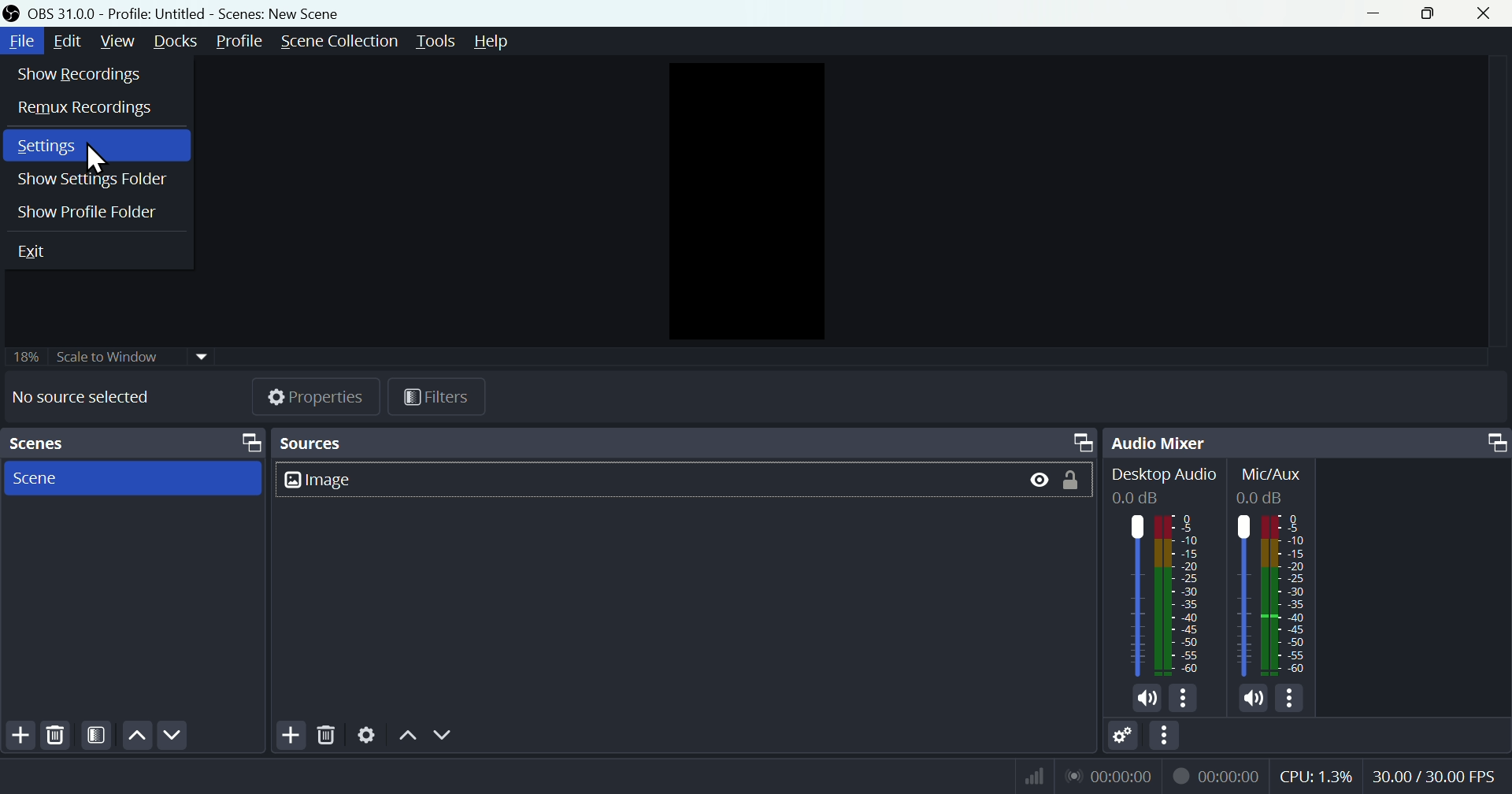 Image resolution: width=1512 pixels, height=794 pixels. Describe the element at coordinates (76, 74) in the screenshot. I see `Show recordings` at that location.